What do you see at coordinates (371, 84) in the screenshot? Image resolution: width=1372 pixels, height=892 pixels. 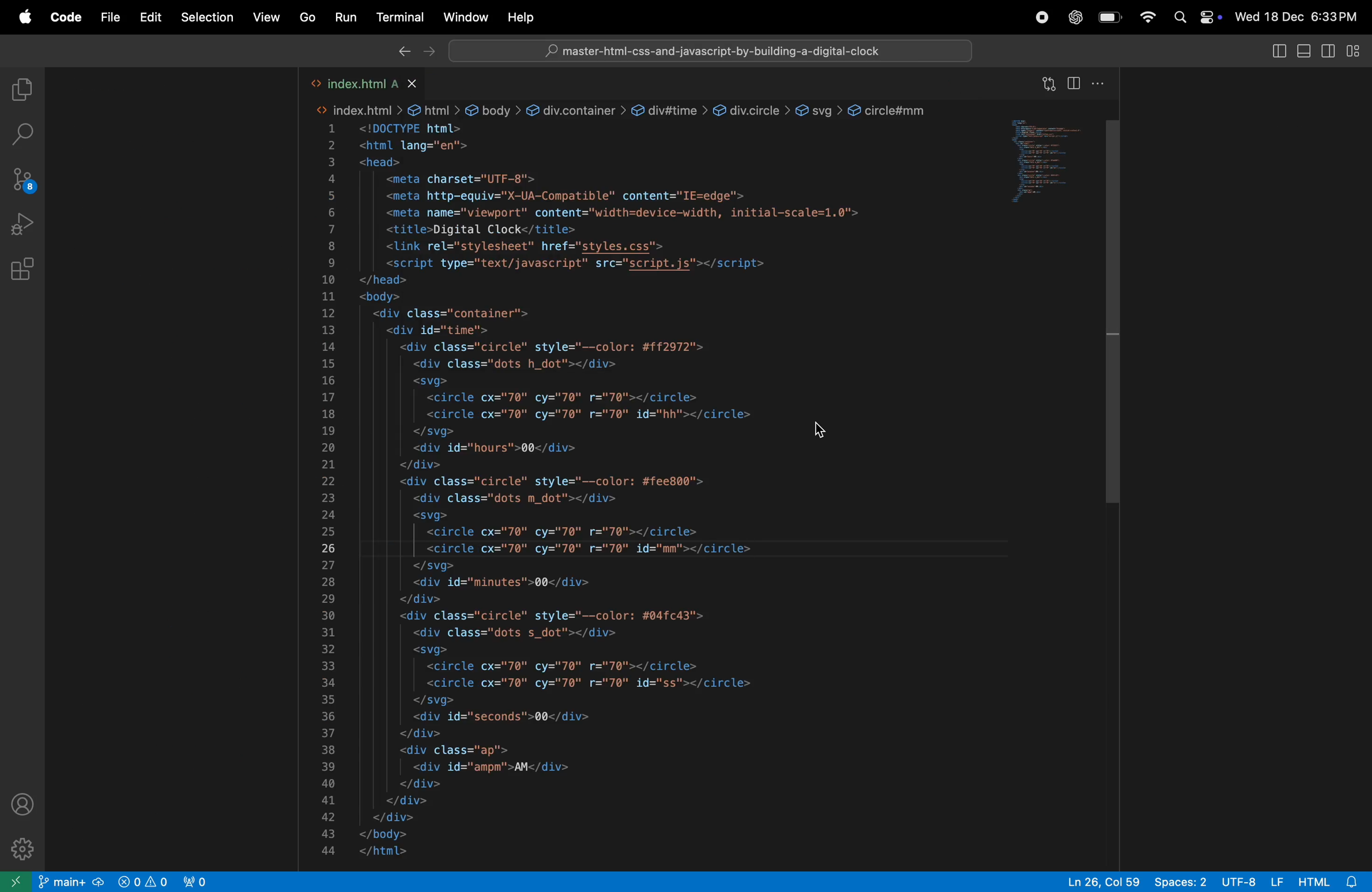 I see `index.html` at bounding box center [371, 84].